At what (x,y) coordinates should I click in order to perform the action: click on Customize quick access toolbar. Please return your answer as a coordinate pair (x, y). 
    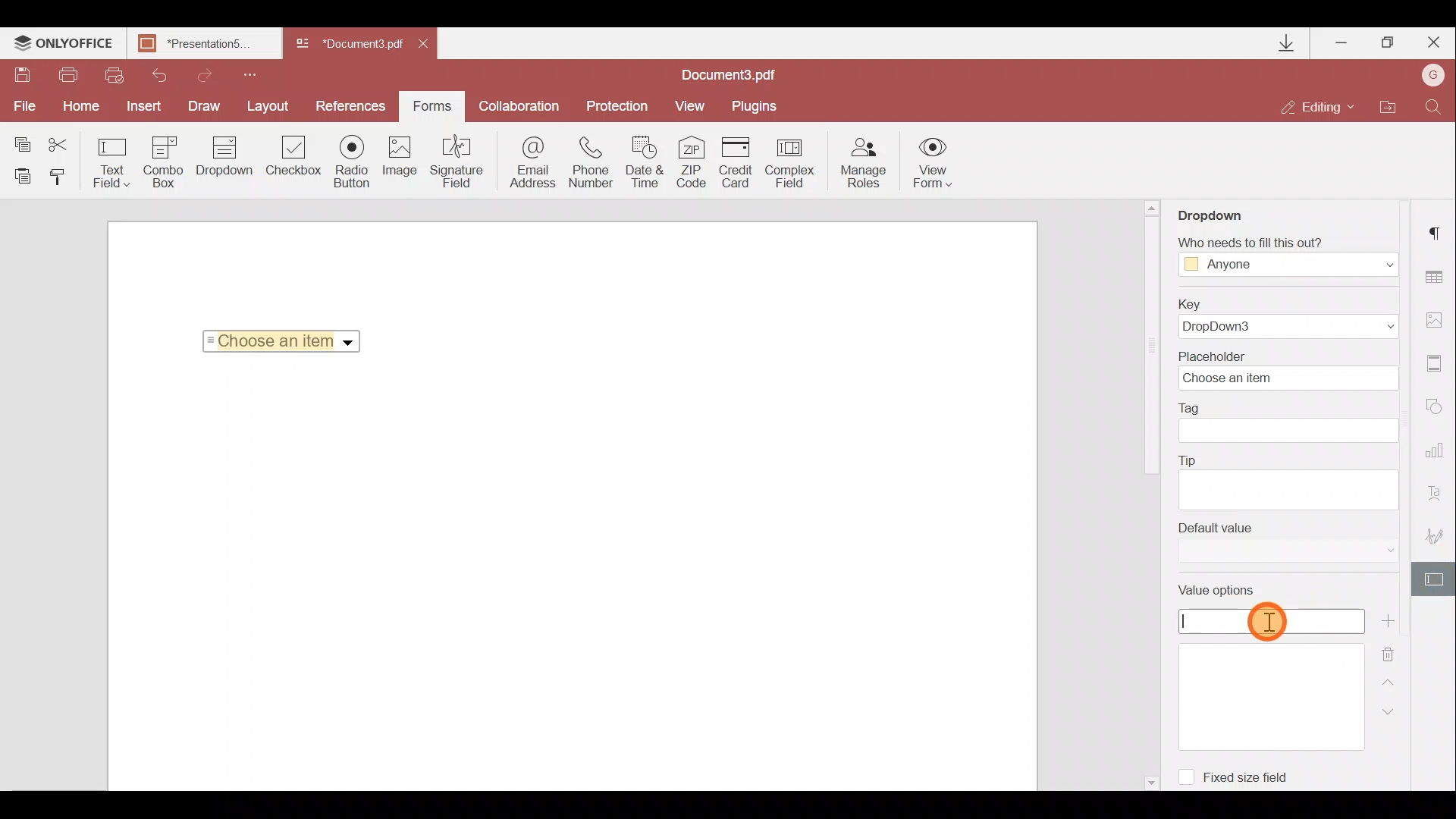
    Looking at the image, I should click on (256, 74).